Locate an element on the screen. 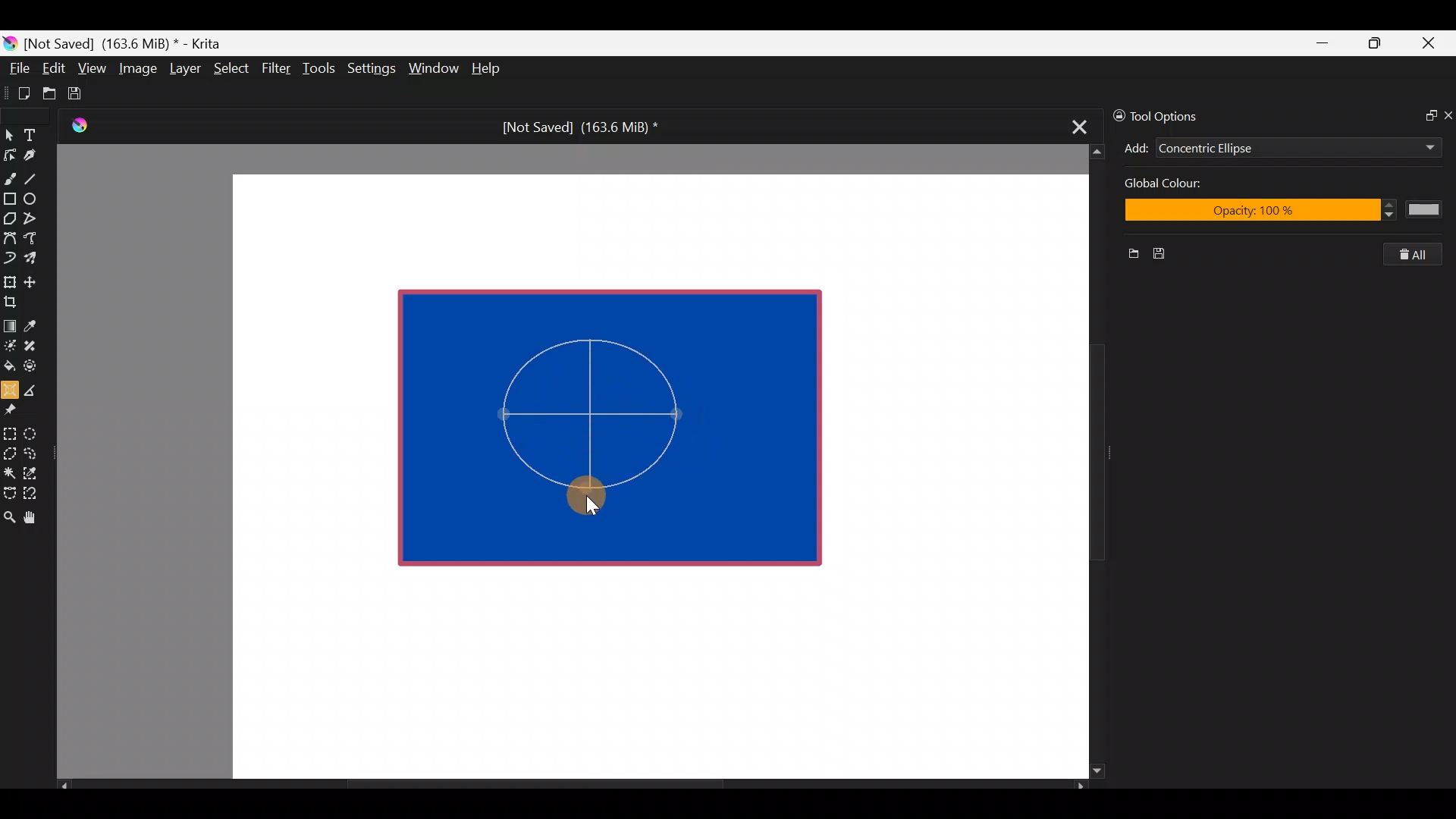 This screenshot has height=819, width=1456. Tools is located at coordinates (322, 69).